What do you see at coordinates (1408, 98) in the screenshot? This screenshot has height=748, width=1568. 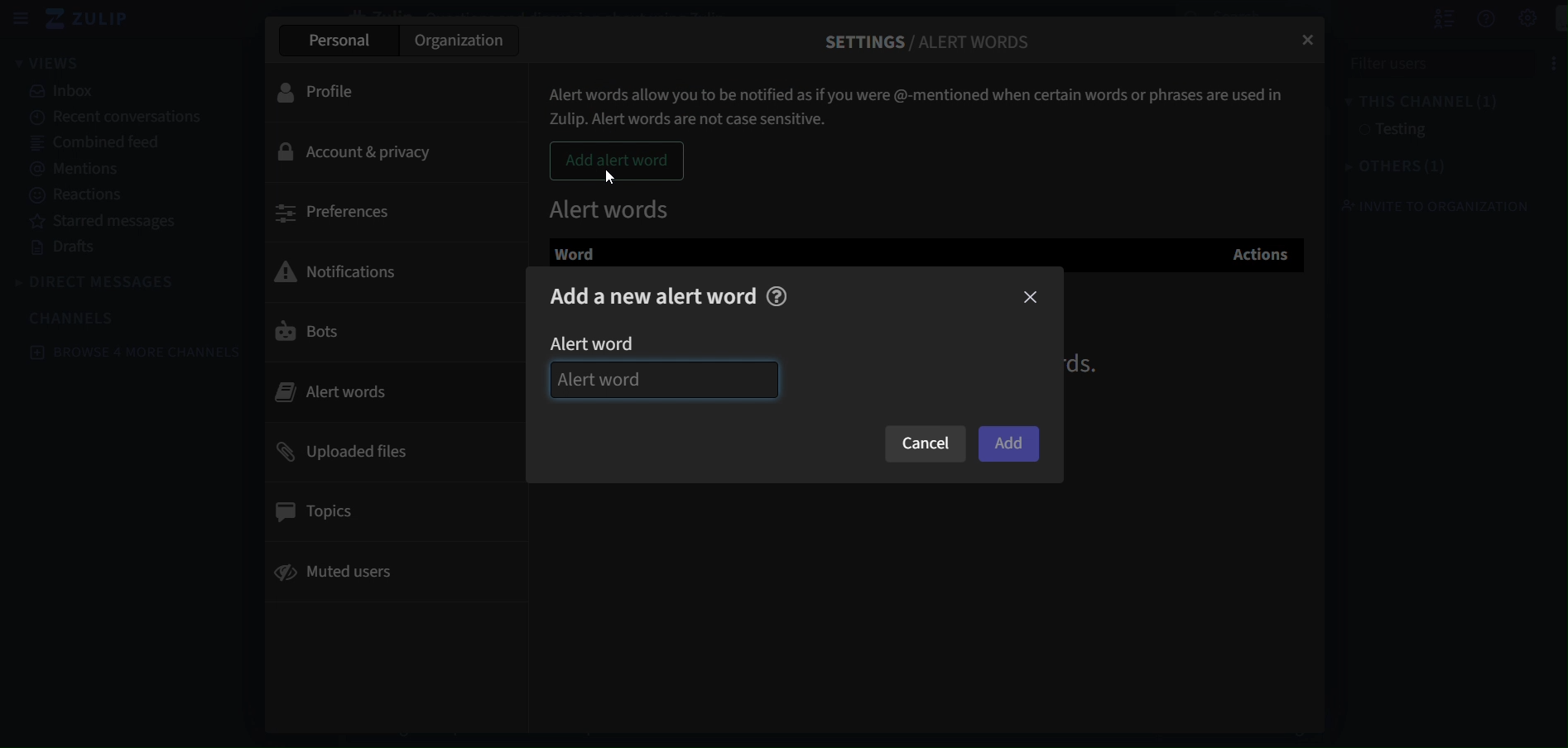 I see `this channel(1)` at bounding box center [1408, 98].